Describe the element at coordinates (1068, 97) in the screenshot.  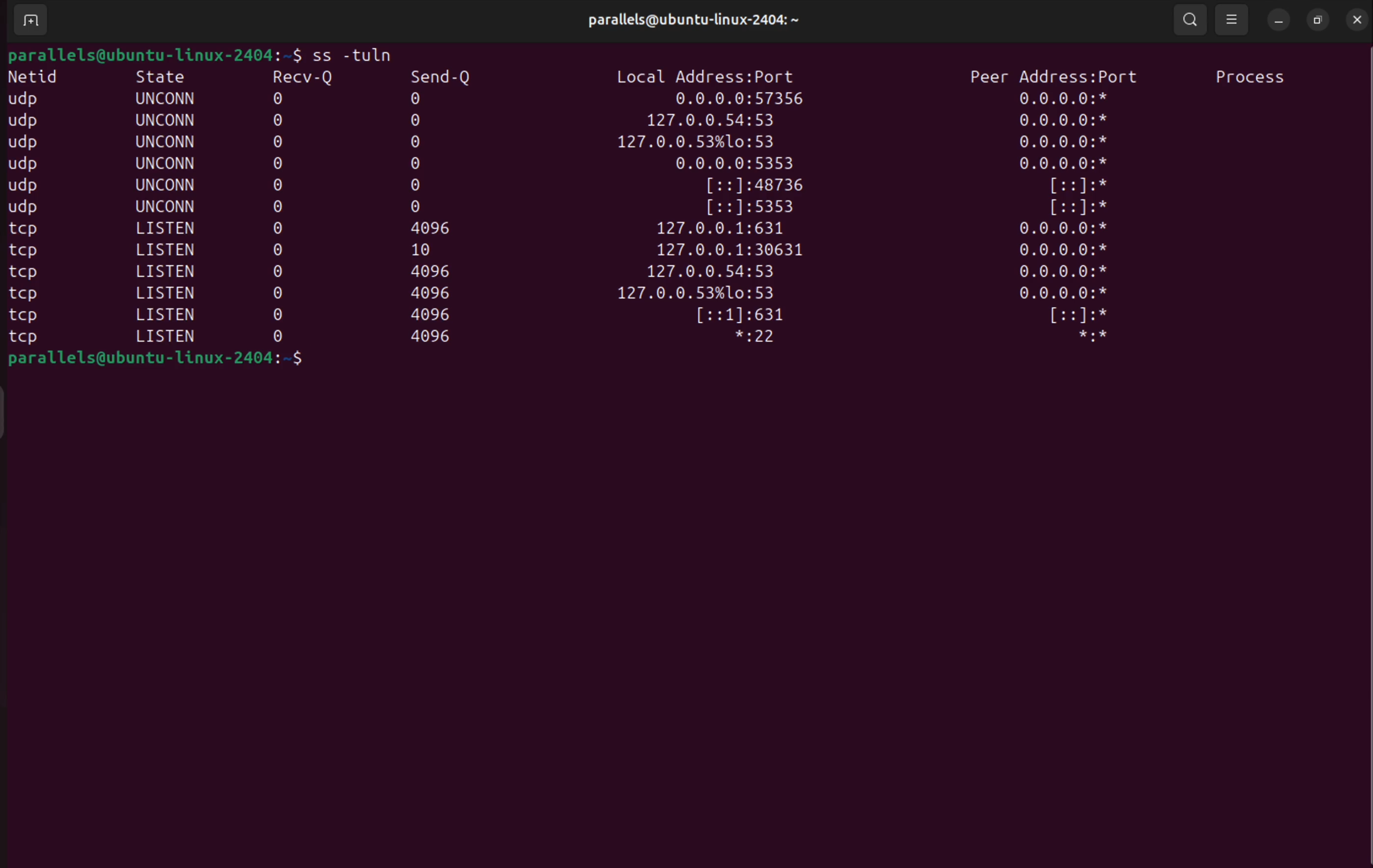
I see `0,0,0,0` at that location.